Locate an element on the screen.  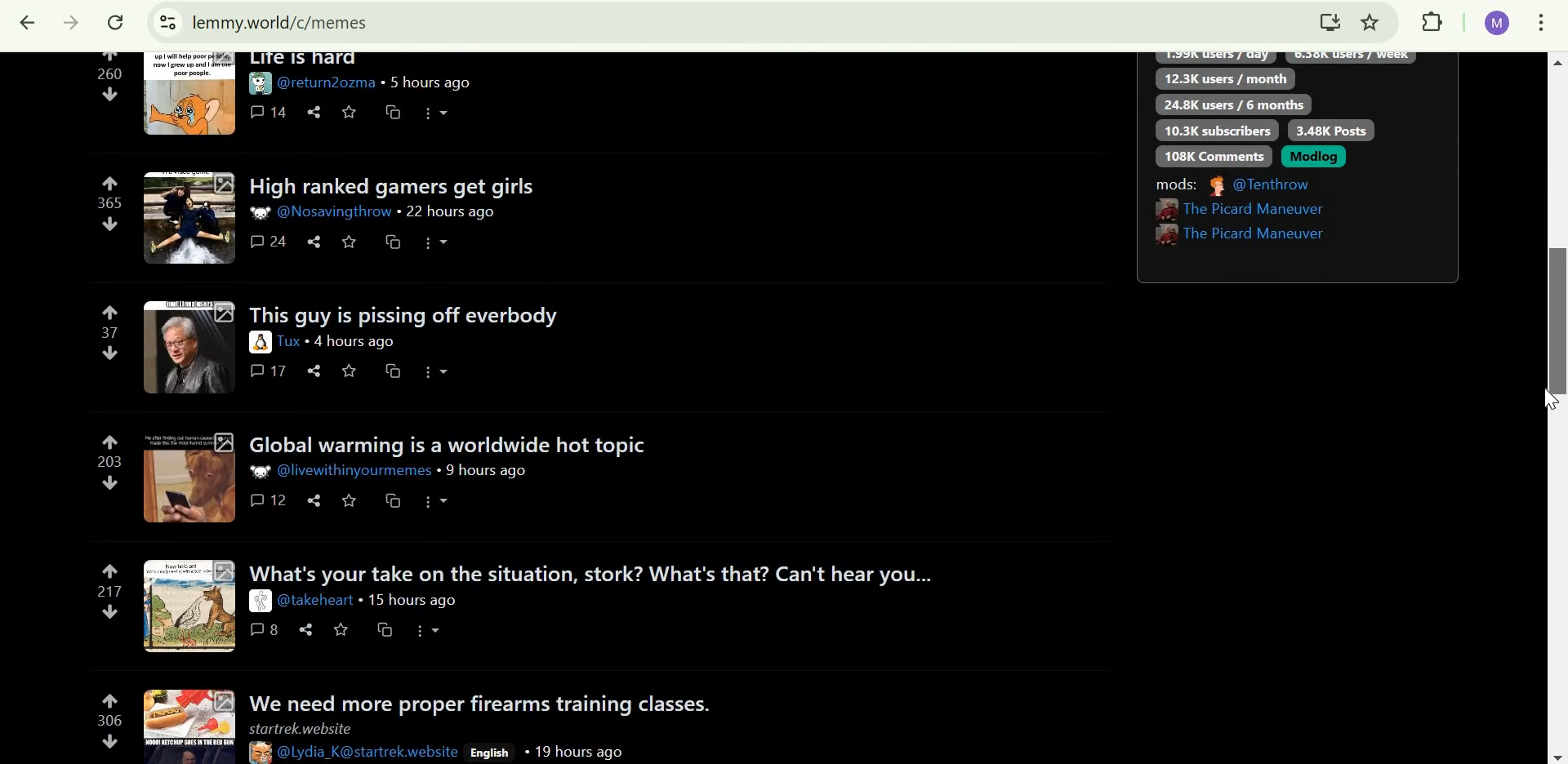
cross-post is located at coordinates (393, 500).